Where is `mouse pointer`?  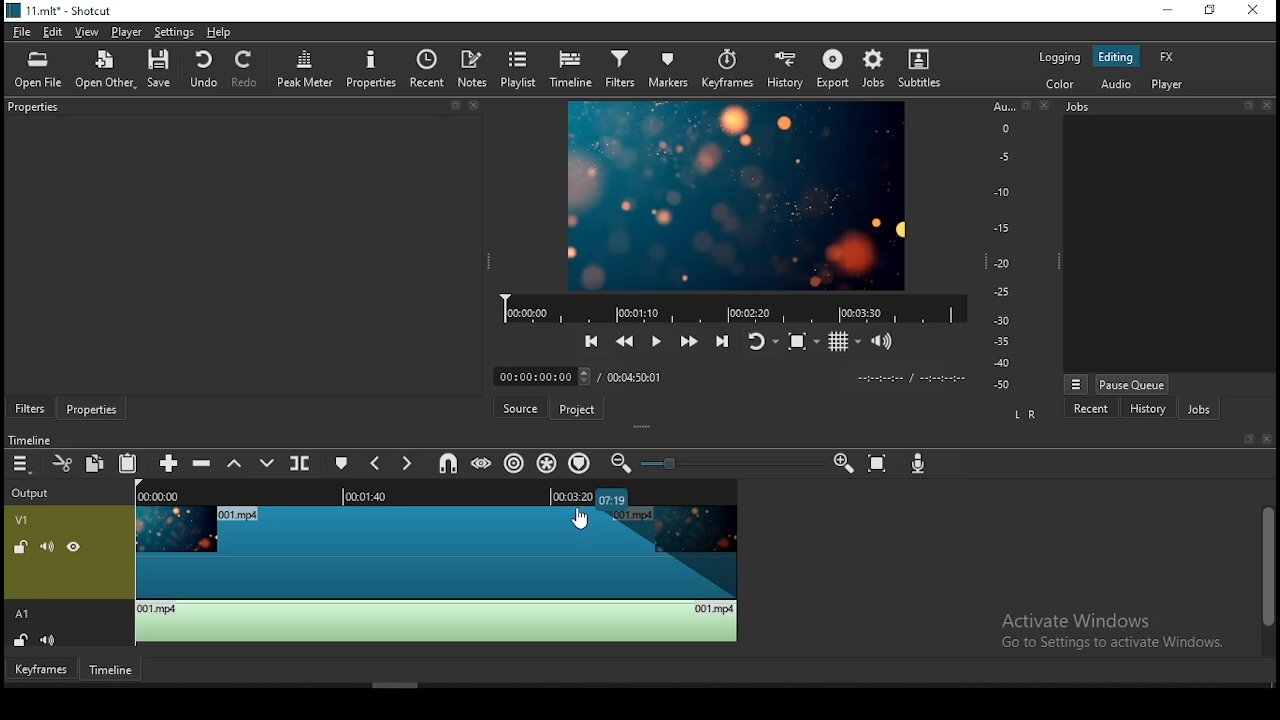 mouse pointer is located at coordinates (581, 516).